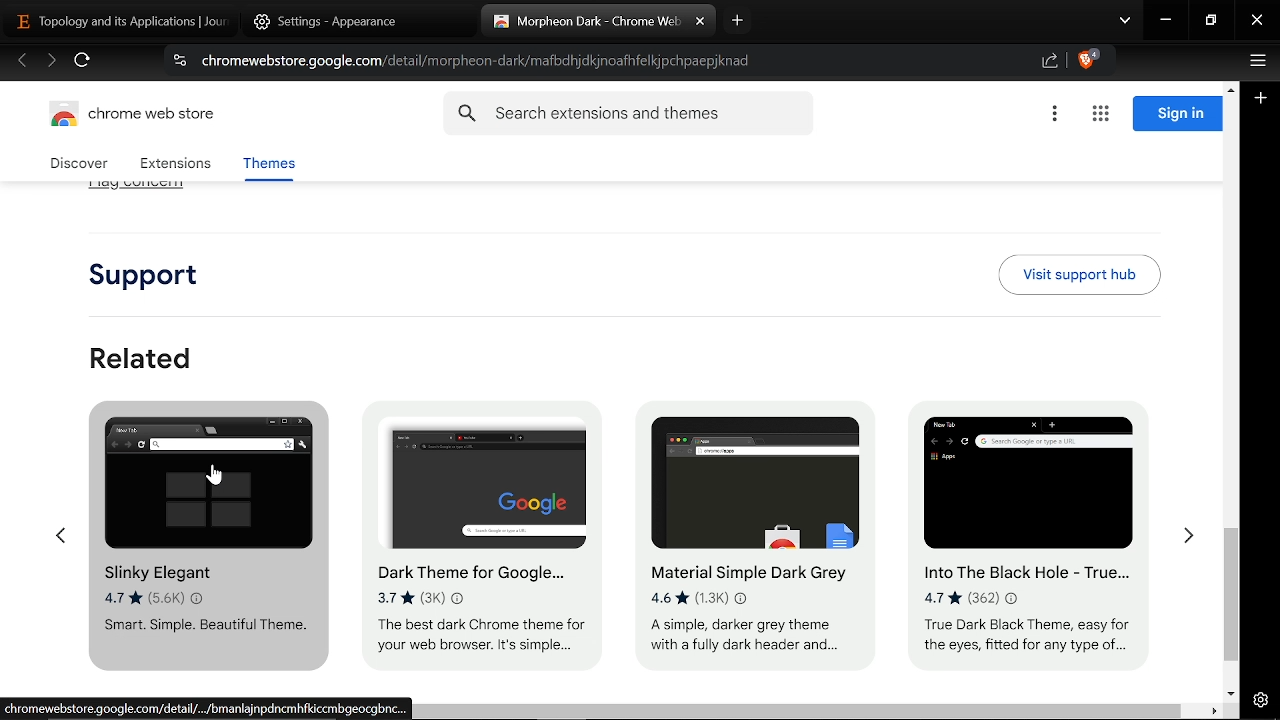  I want to click on Visit support hub, so click(1079, 265).